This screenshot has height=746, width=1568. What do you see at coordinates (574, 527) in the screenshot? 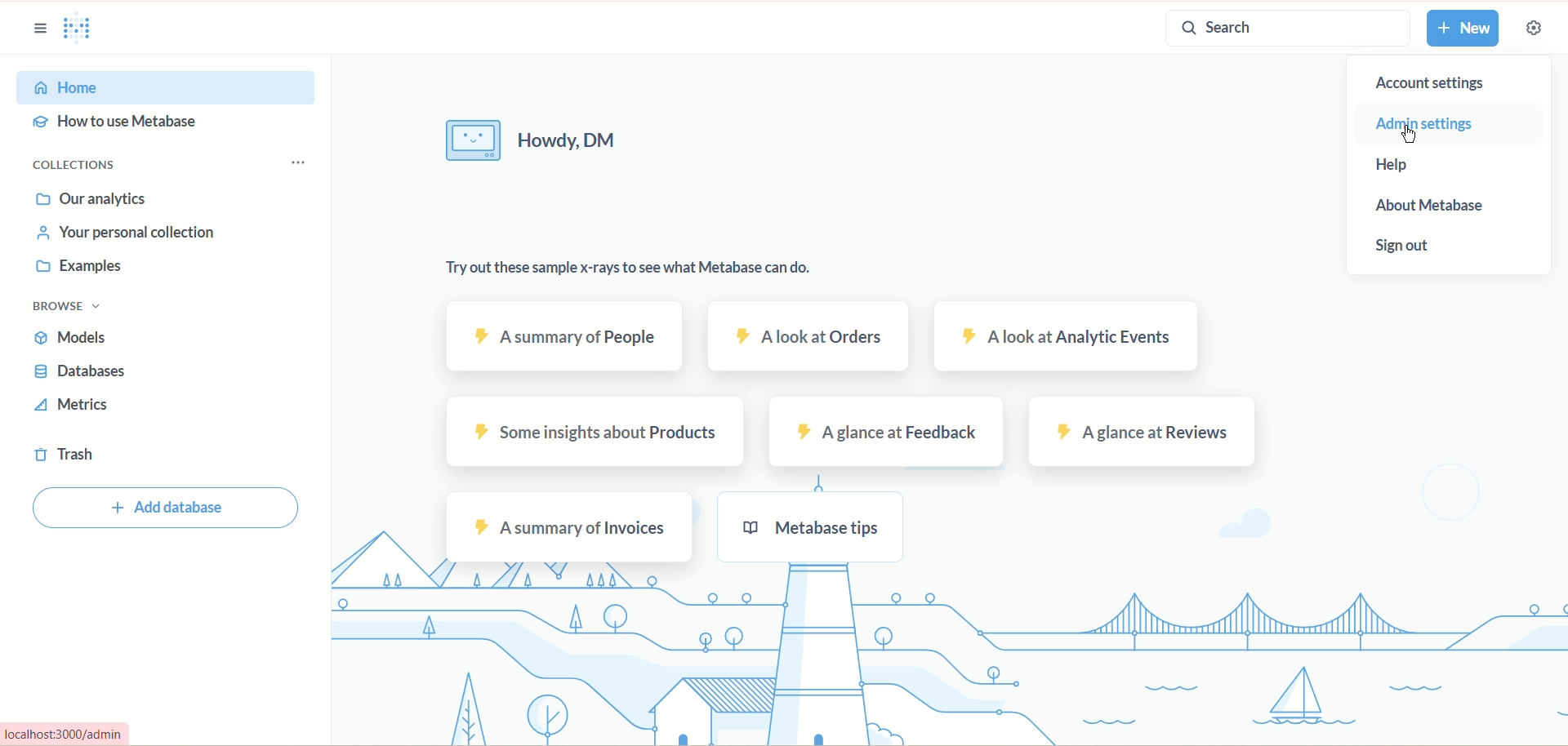
I see `a summary of invoices` at bounding box center [574, 527].